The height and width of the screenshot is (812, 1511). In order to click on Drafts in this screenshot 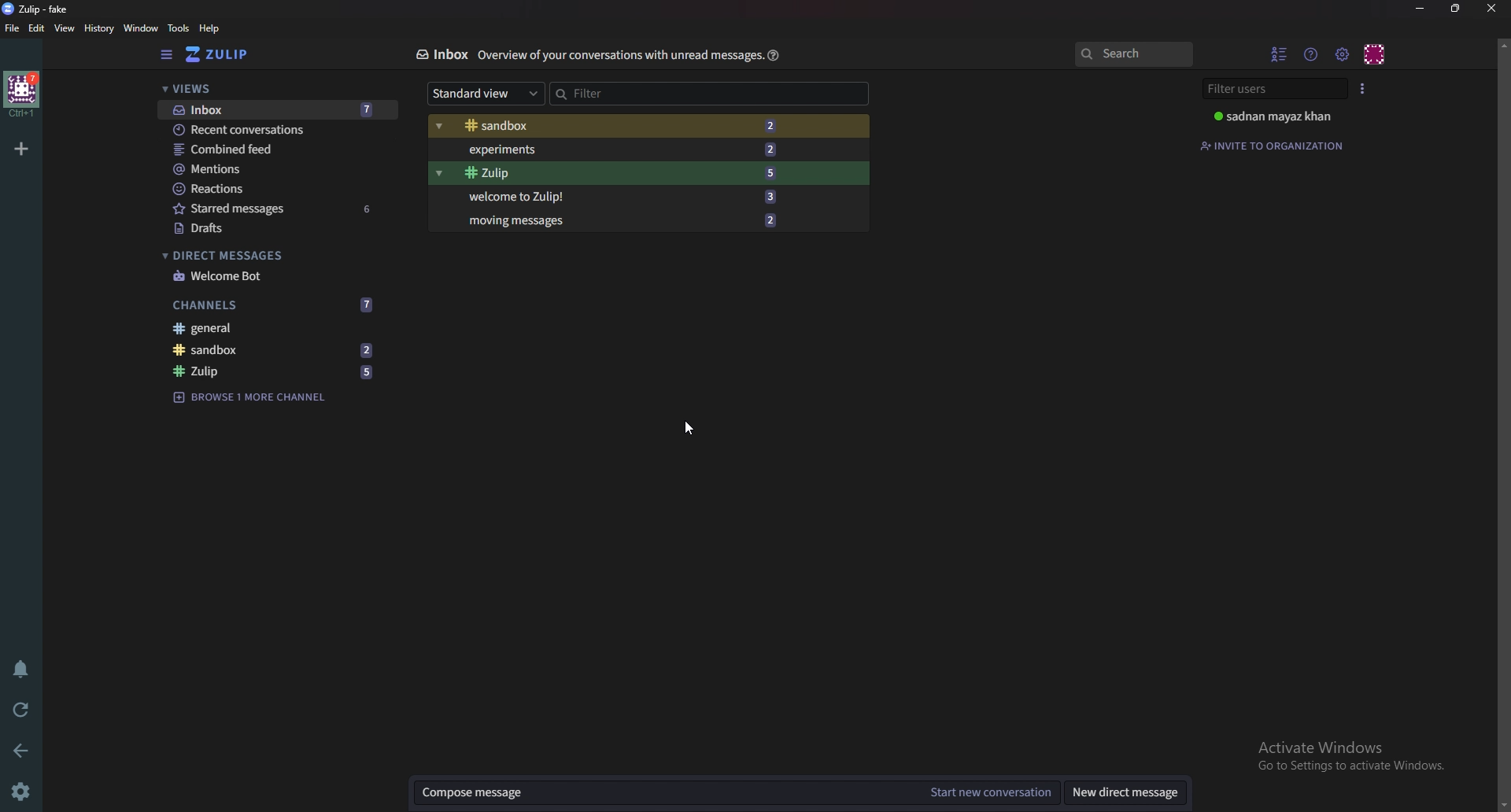, I will do `click(275, 230)`.